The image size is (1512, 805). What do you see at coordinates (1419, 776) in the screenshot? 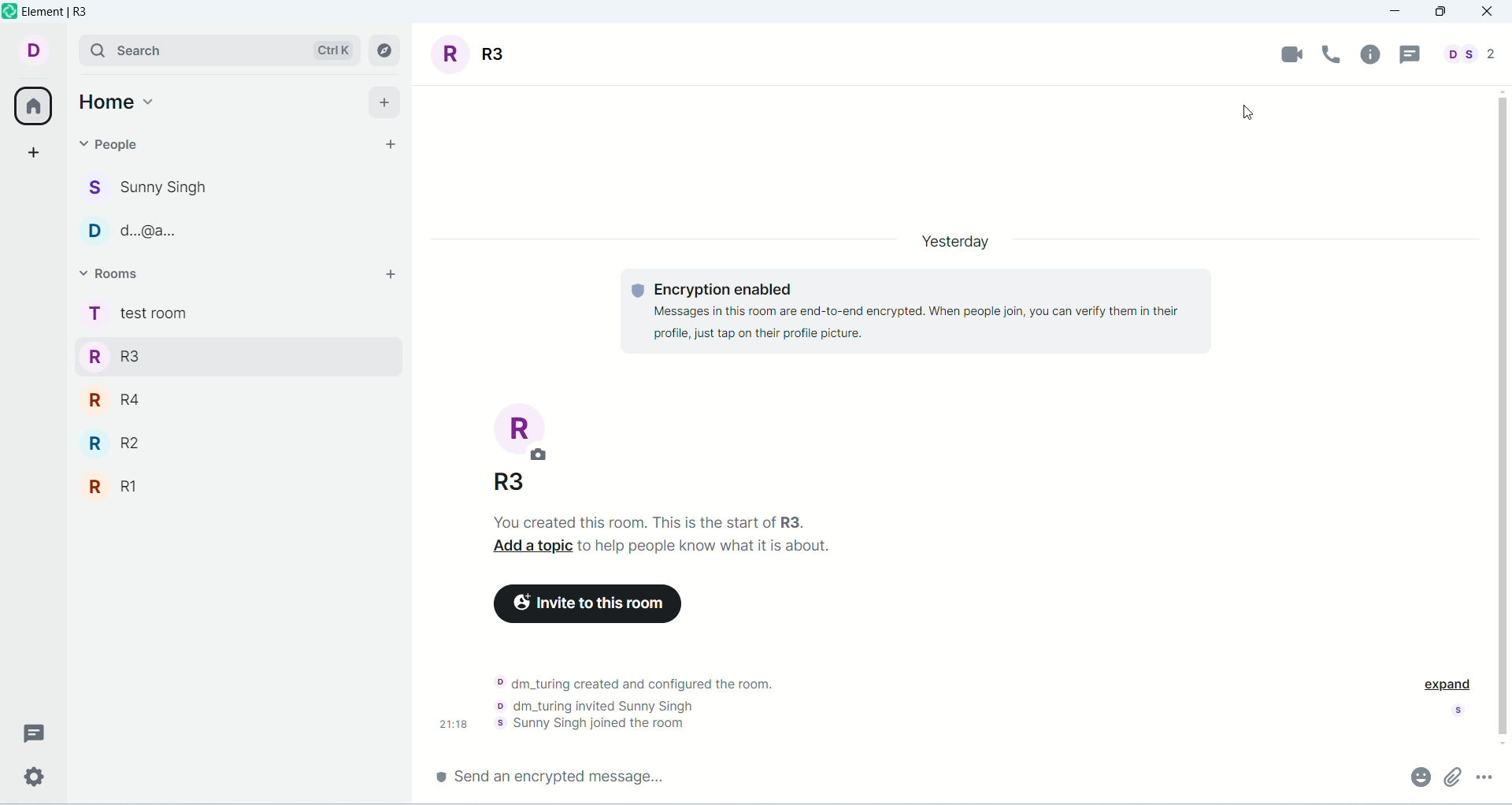
I see `emoji` at bounding box center [1419, 776].